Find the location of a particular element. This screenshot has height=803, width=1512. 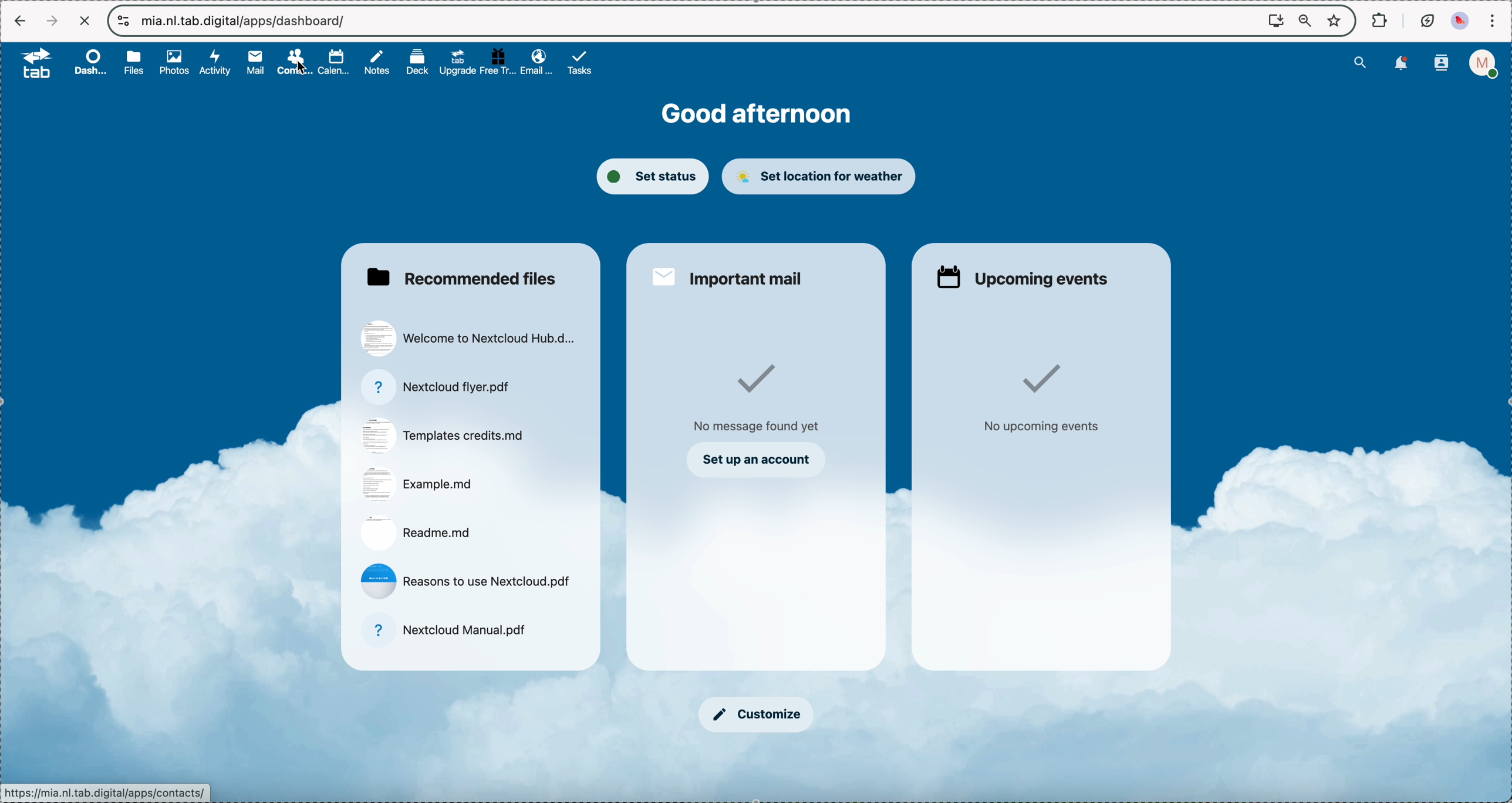

file is located at coordinates (445, 387).